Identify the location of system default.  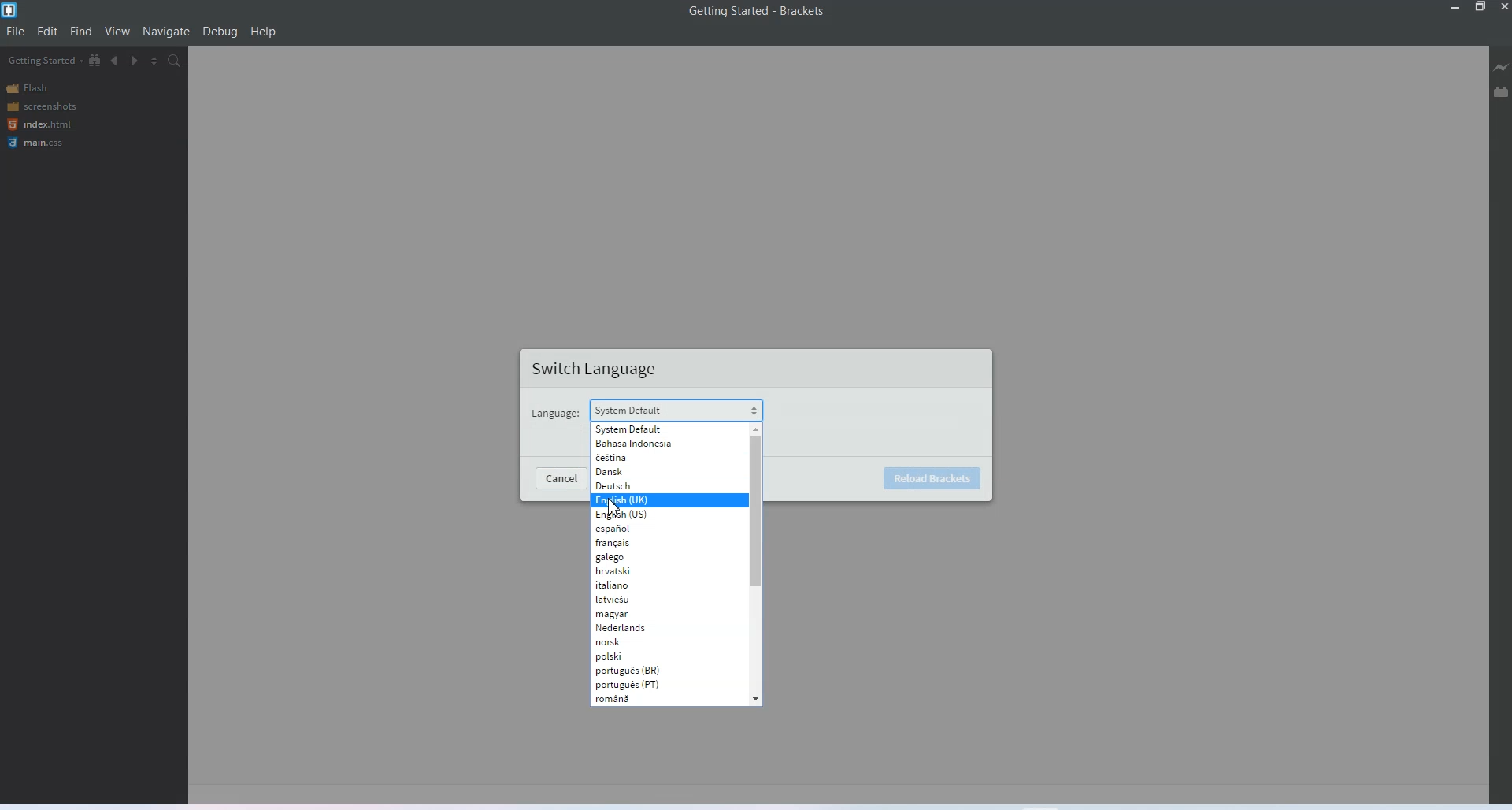
(628, 409).